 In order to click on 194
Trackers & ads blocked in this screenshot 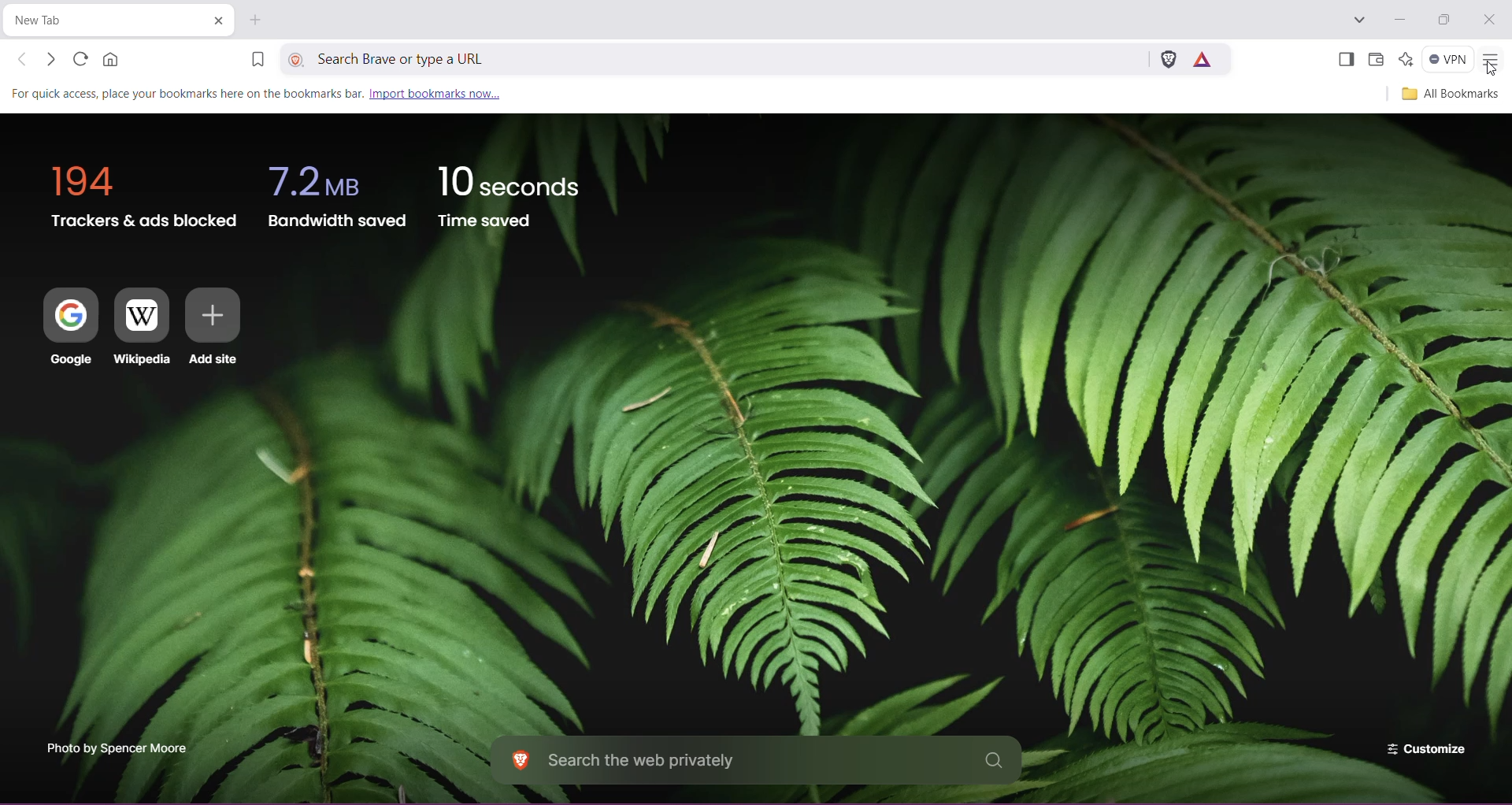, I will do `click(138, 191)`.